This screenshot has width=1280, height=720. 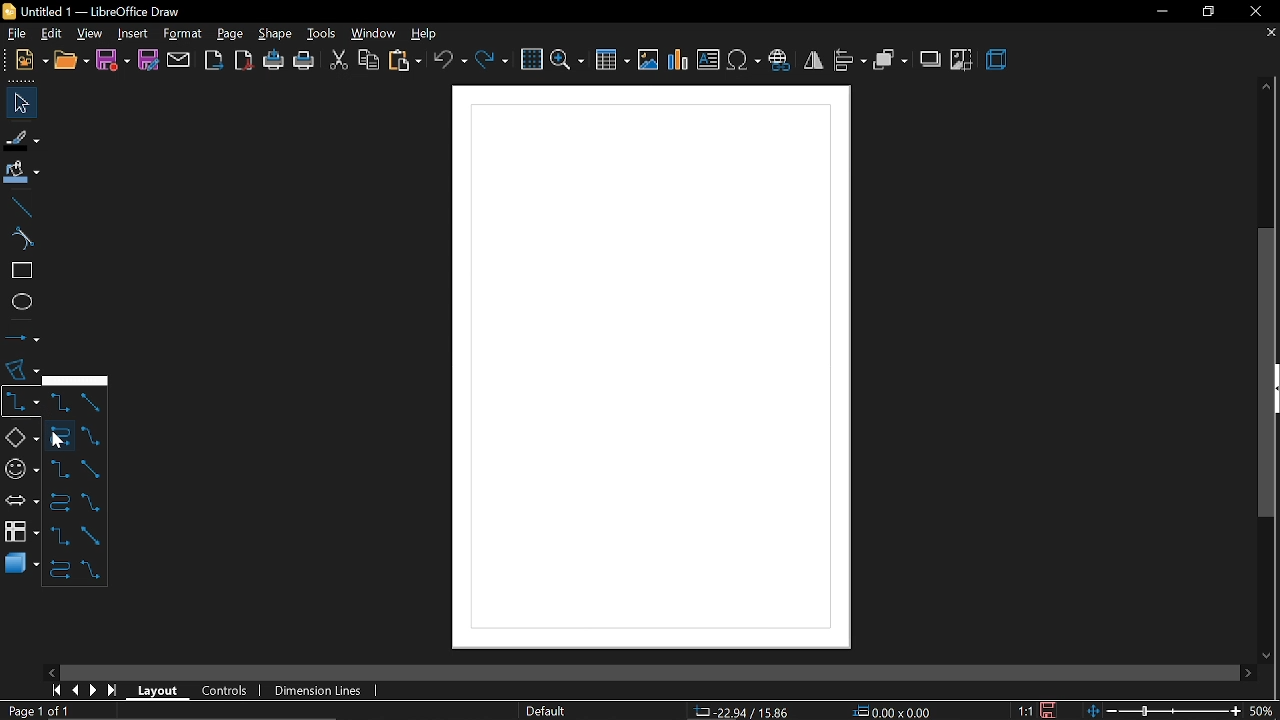 I want to click on 1:1, so click(x=1027, y=711).